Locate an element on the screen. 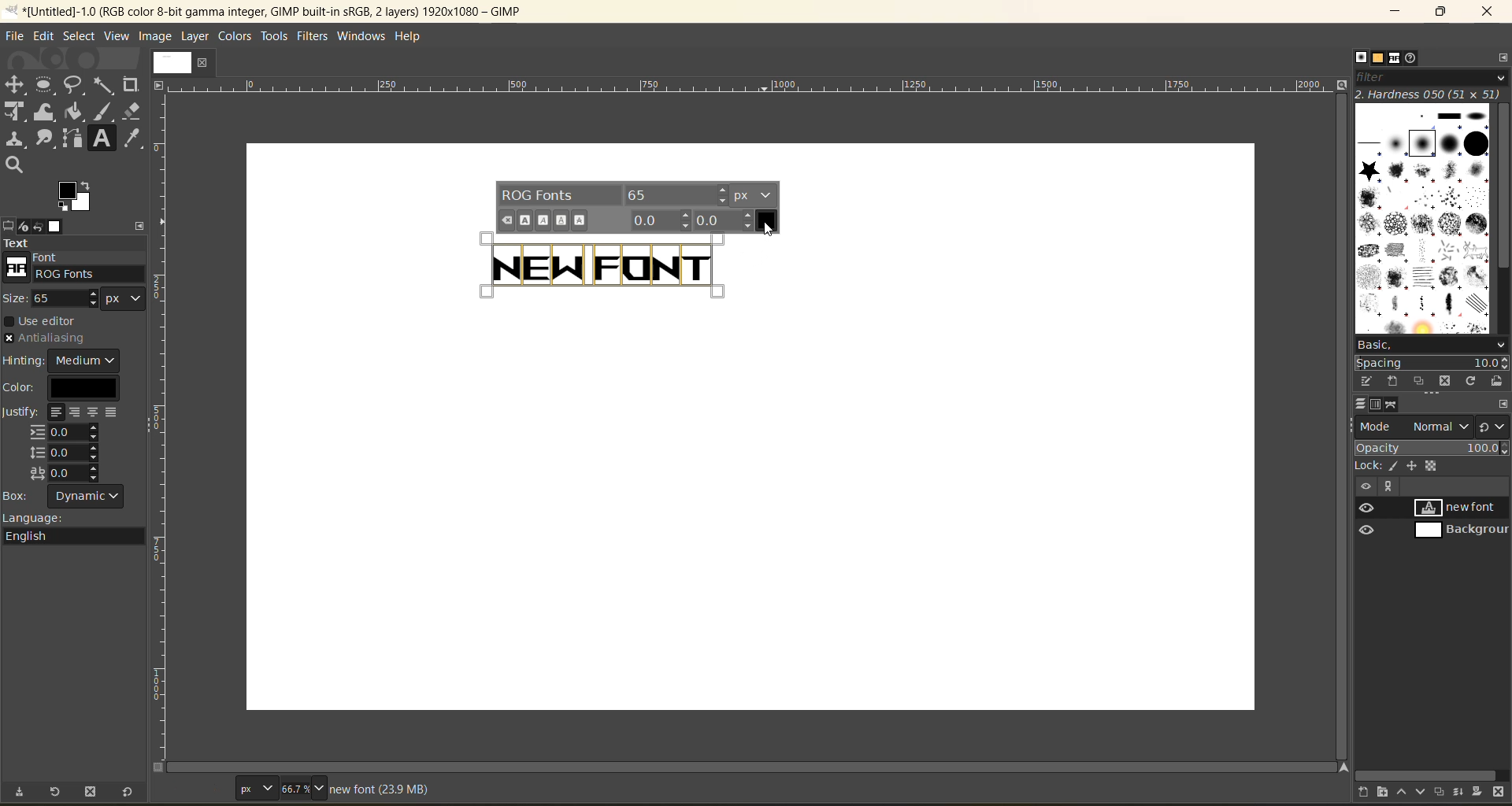  document history is located at coordinates (1412, 60).